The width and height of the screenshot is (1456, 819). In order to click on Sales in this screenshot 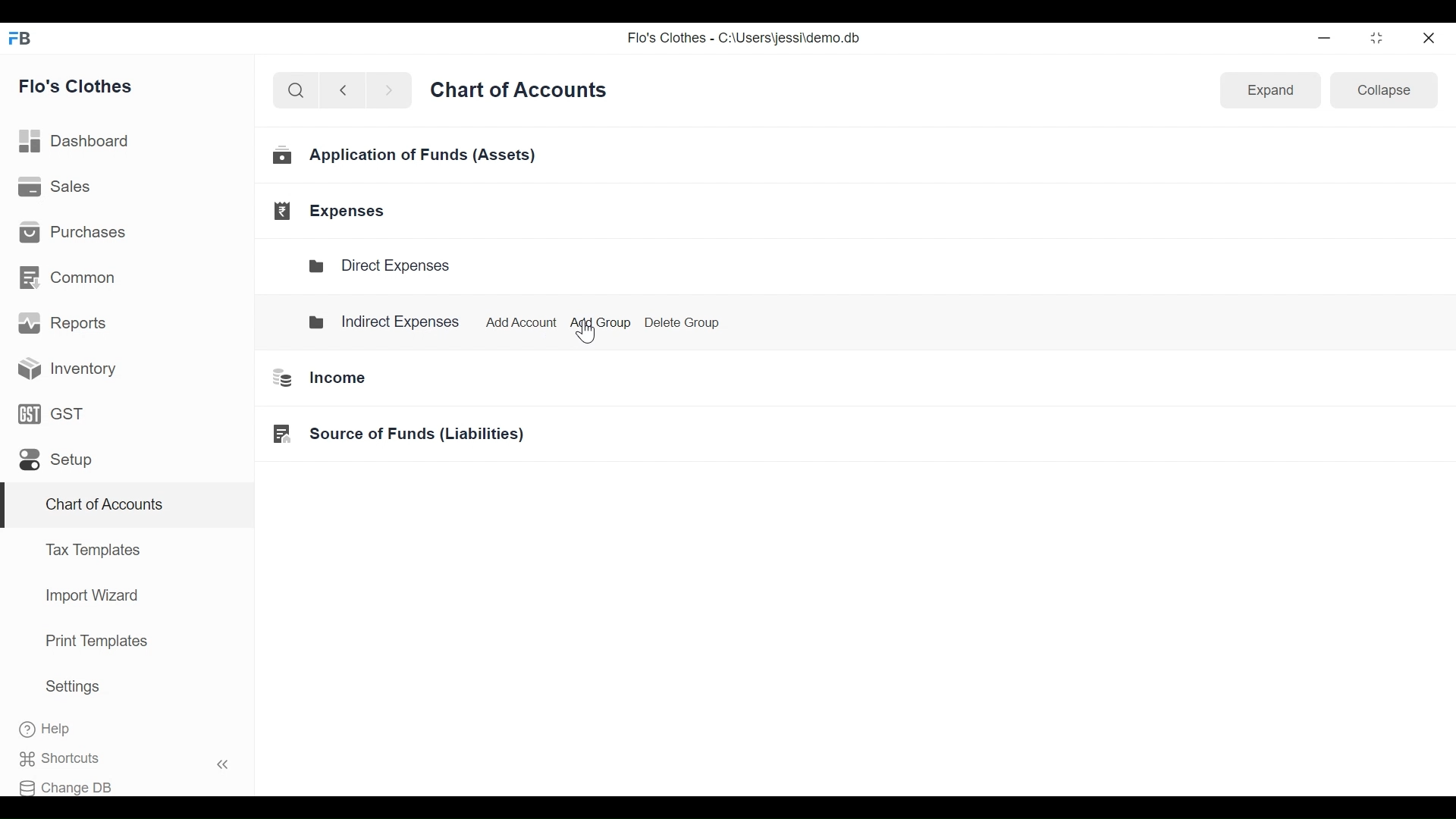, I will do `click(56, 188)`.